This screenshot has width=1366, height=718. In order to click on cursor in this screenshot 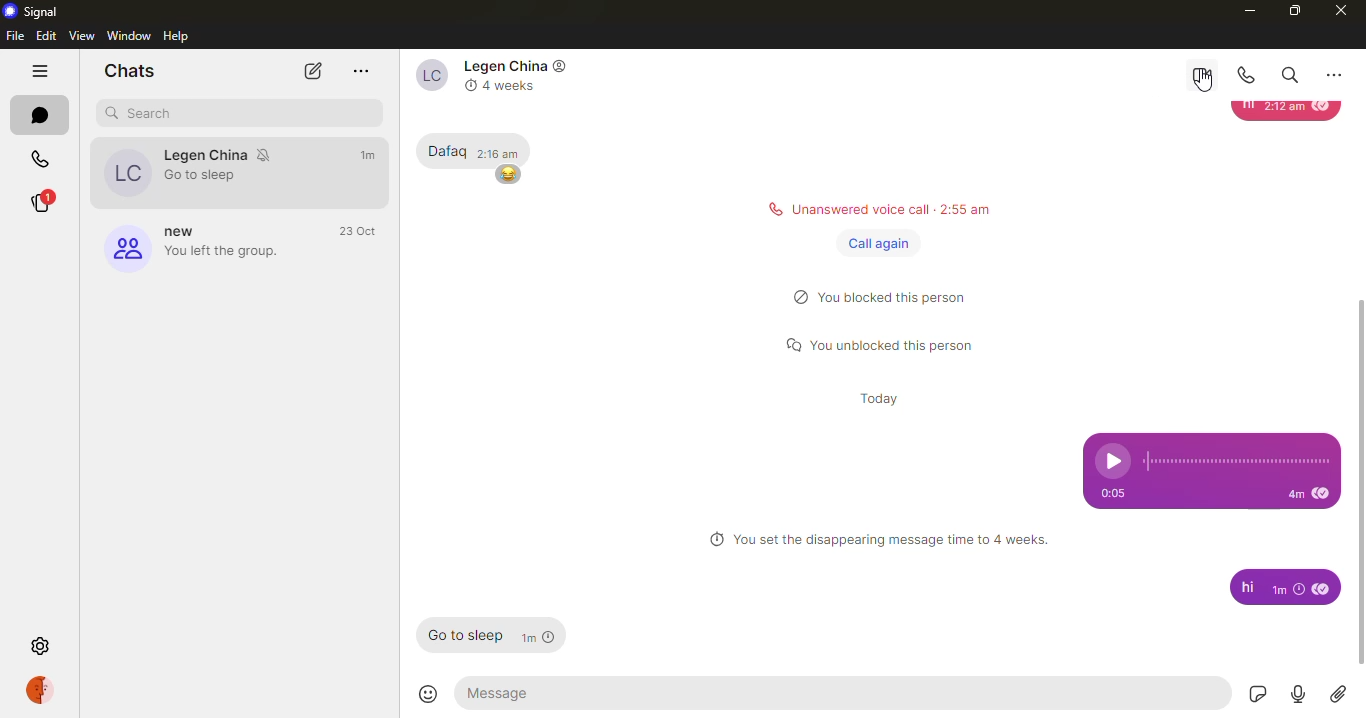, I will do `click(1204, 85)`.